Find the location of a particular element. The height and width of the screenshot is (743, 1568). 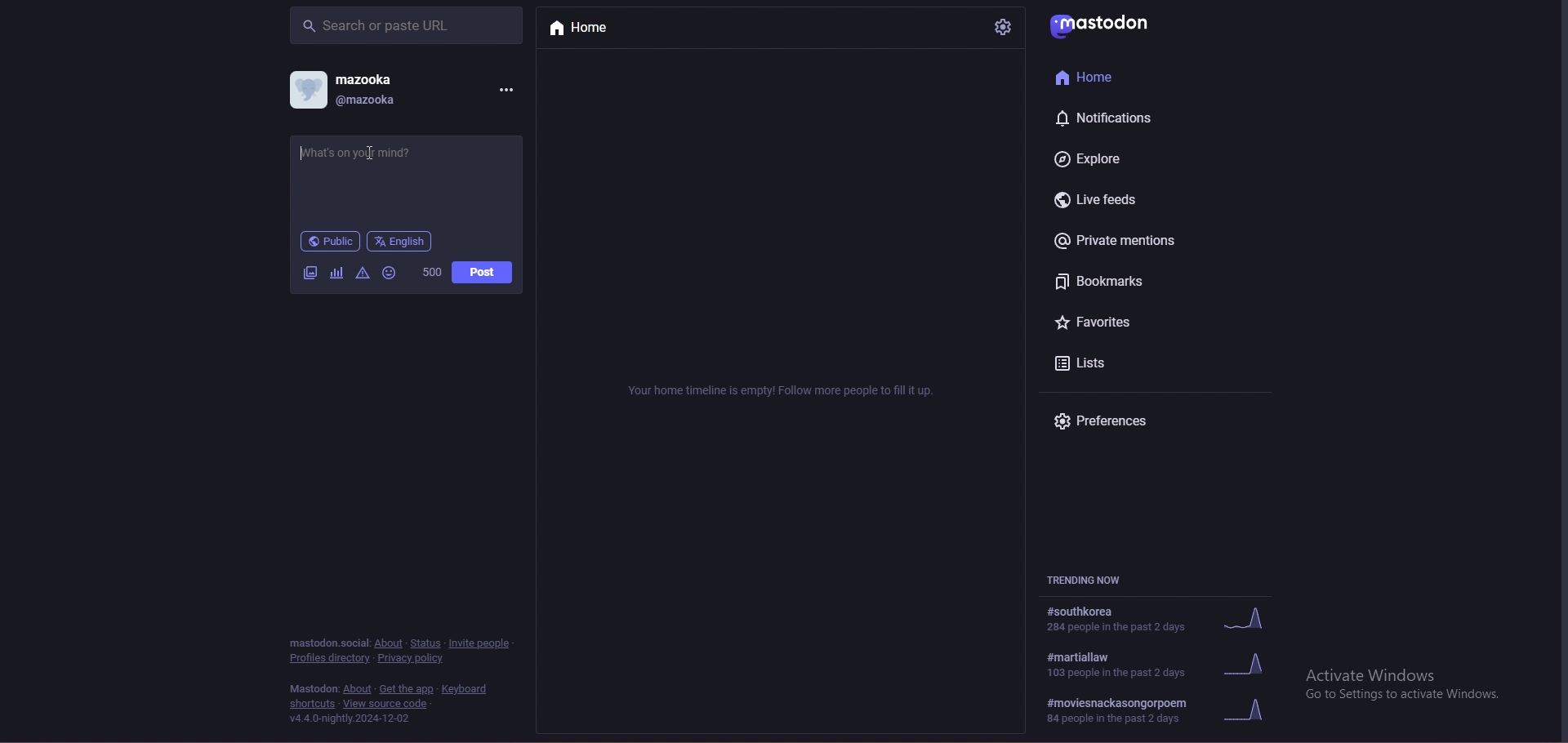

bookmarks is located at coordinates (1137, 284).